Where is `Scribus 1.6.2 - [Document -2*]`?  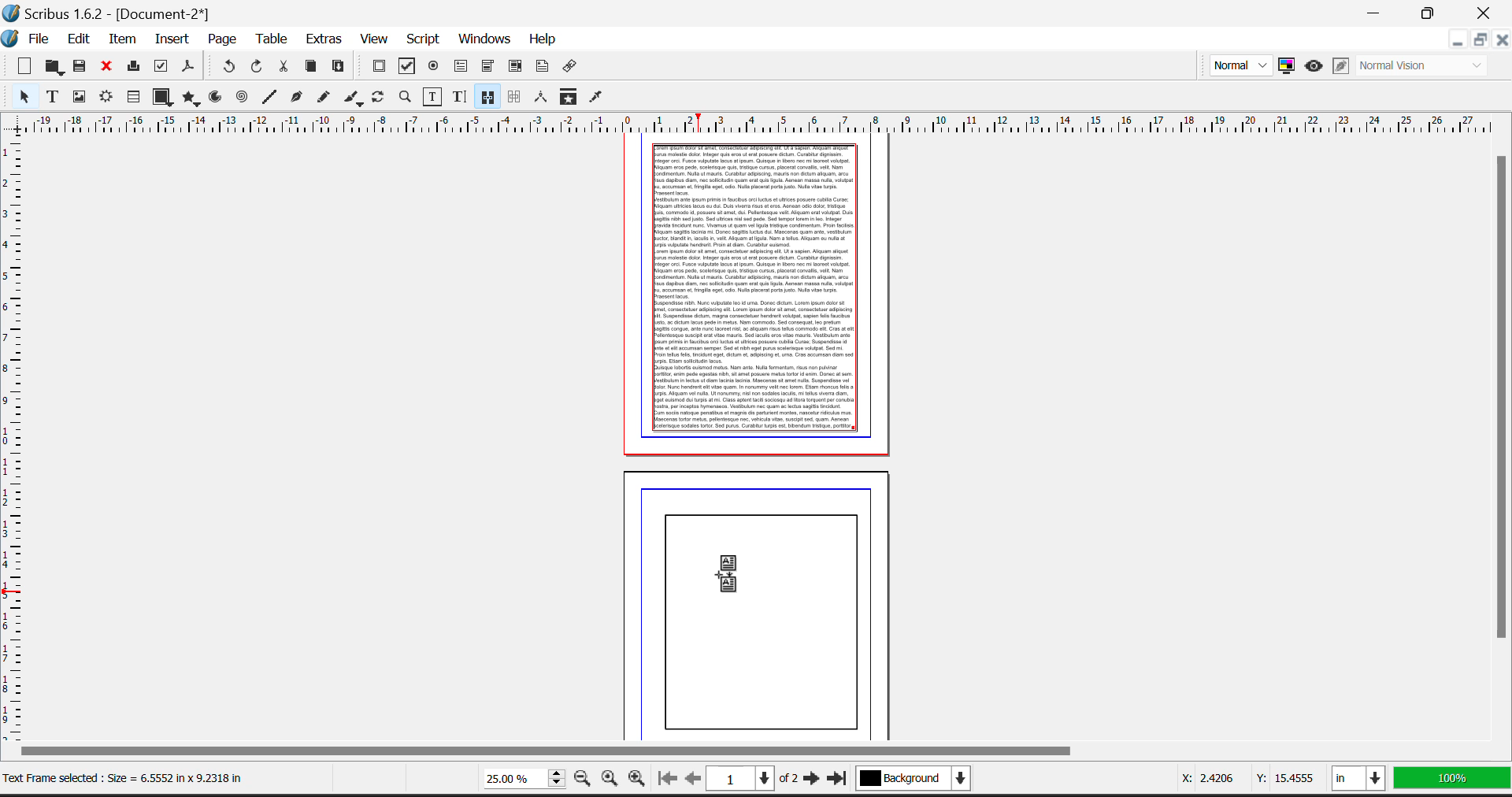
Scribus 1.6.2 - [Document -2*] is located at coordinates (109, 12).